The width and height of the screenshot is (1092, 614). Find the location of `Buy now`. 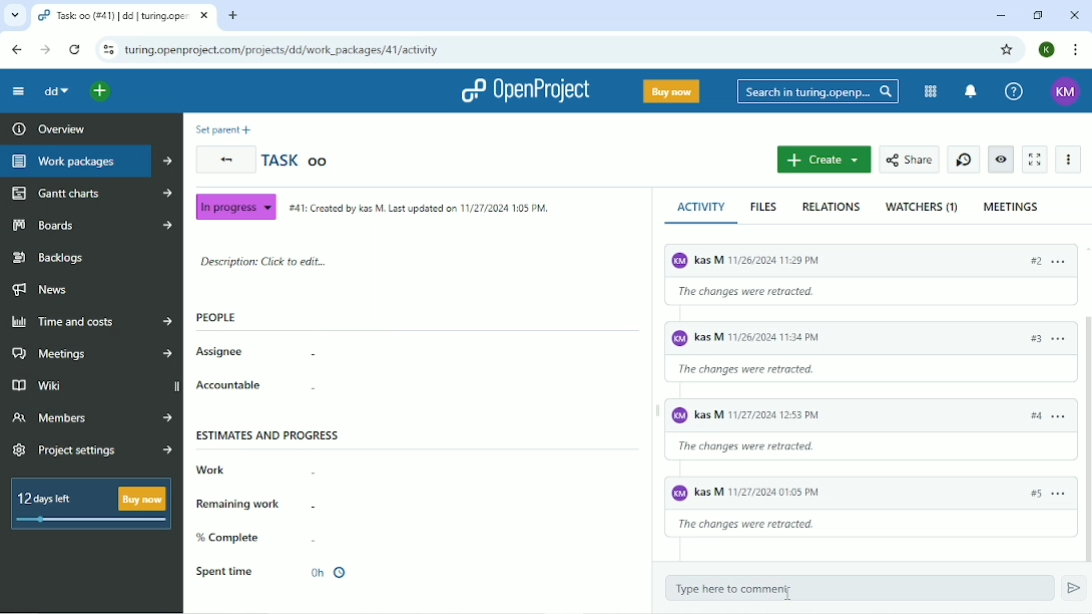

Buy now is located at coordinates (672, 92).